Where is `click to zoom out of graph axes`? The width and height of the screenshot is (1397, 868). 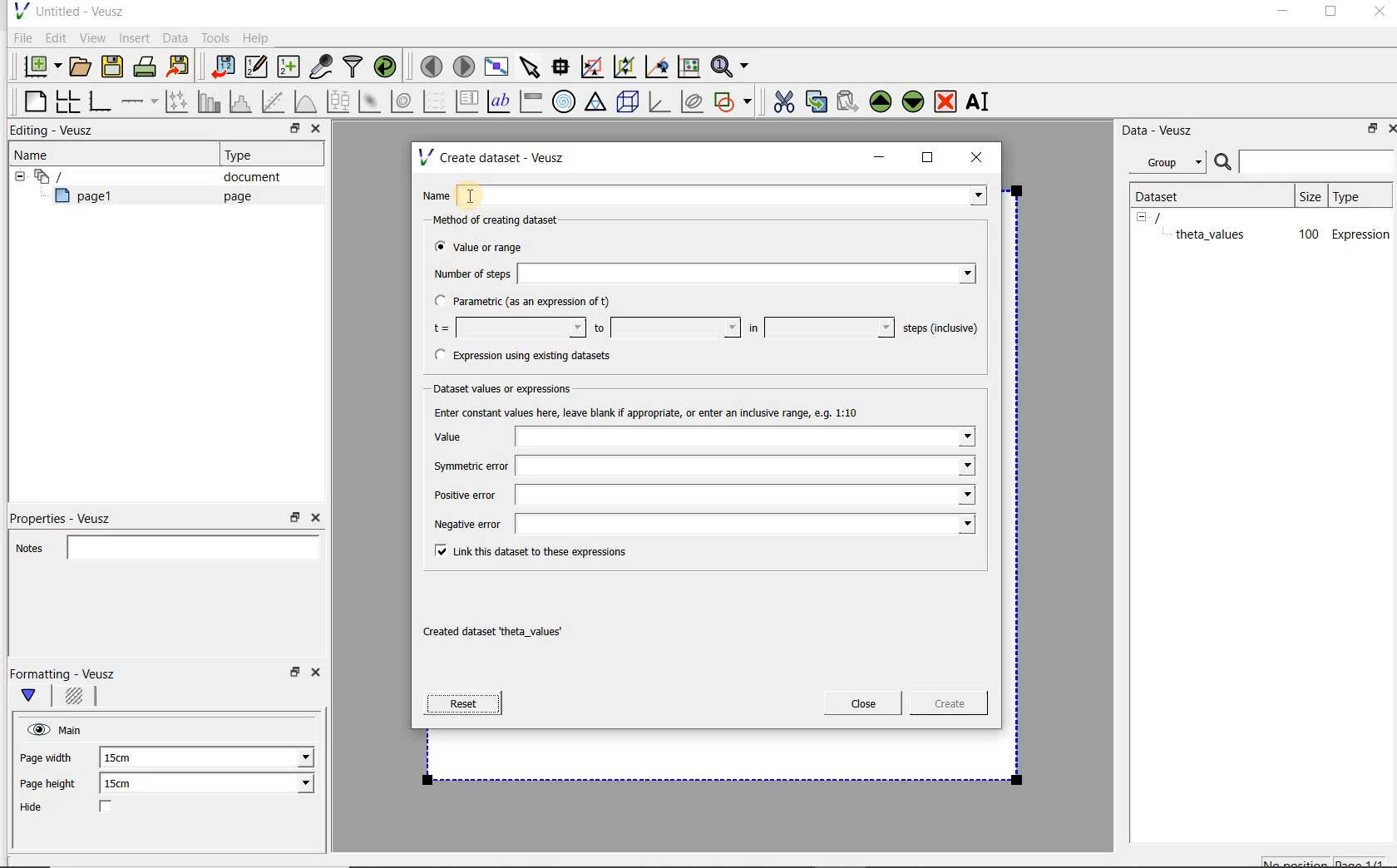
click to zoom out of graph axes is located at coordinates (625, 67).